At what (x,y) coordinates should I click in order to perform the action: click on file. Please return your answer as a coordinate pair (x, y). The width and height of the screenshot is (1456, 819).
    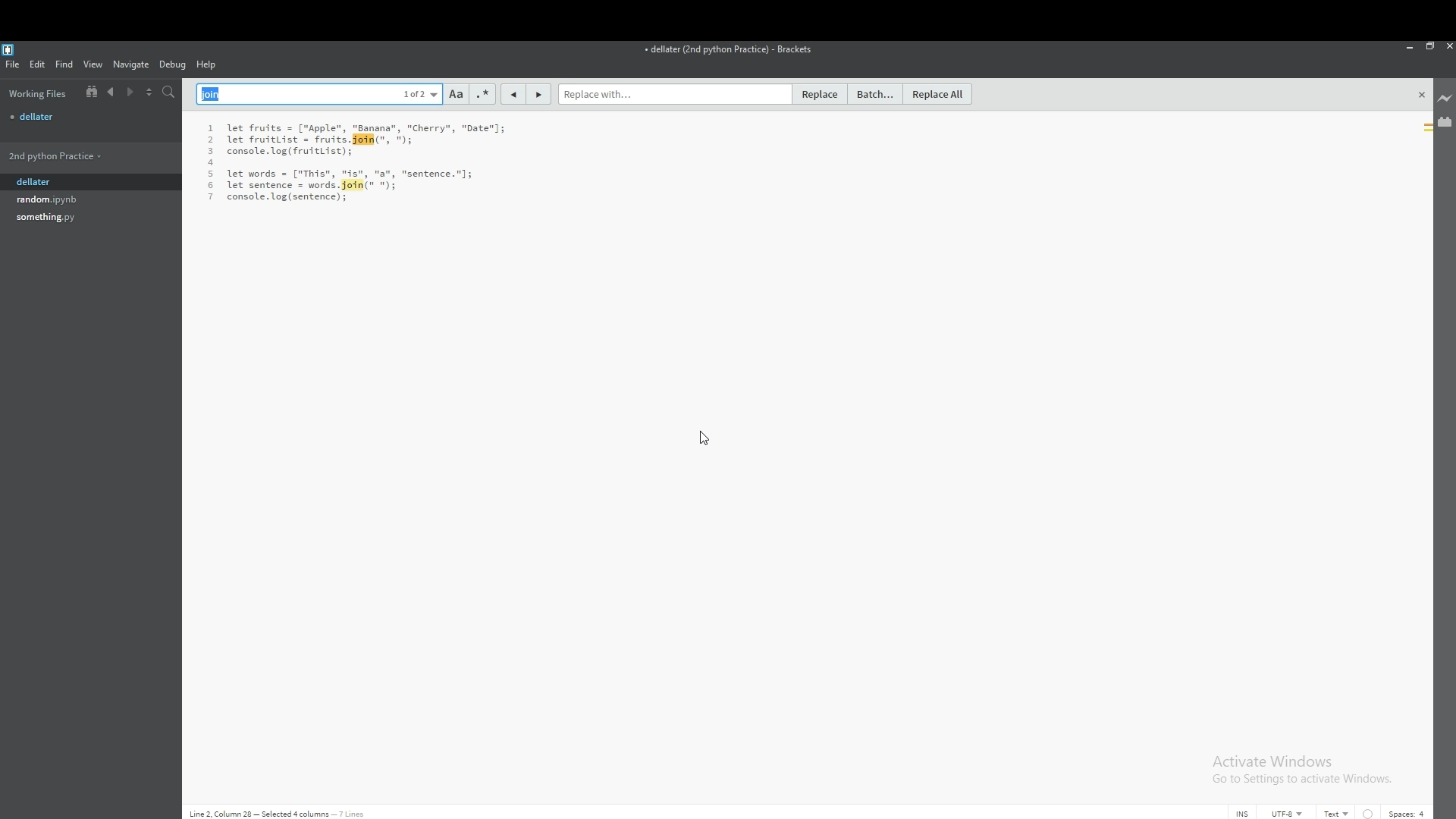
    Looking at the image, I should click on (14, 64).